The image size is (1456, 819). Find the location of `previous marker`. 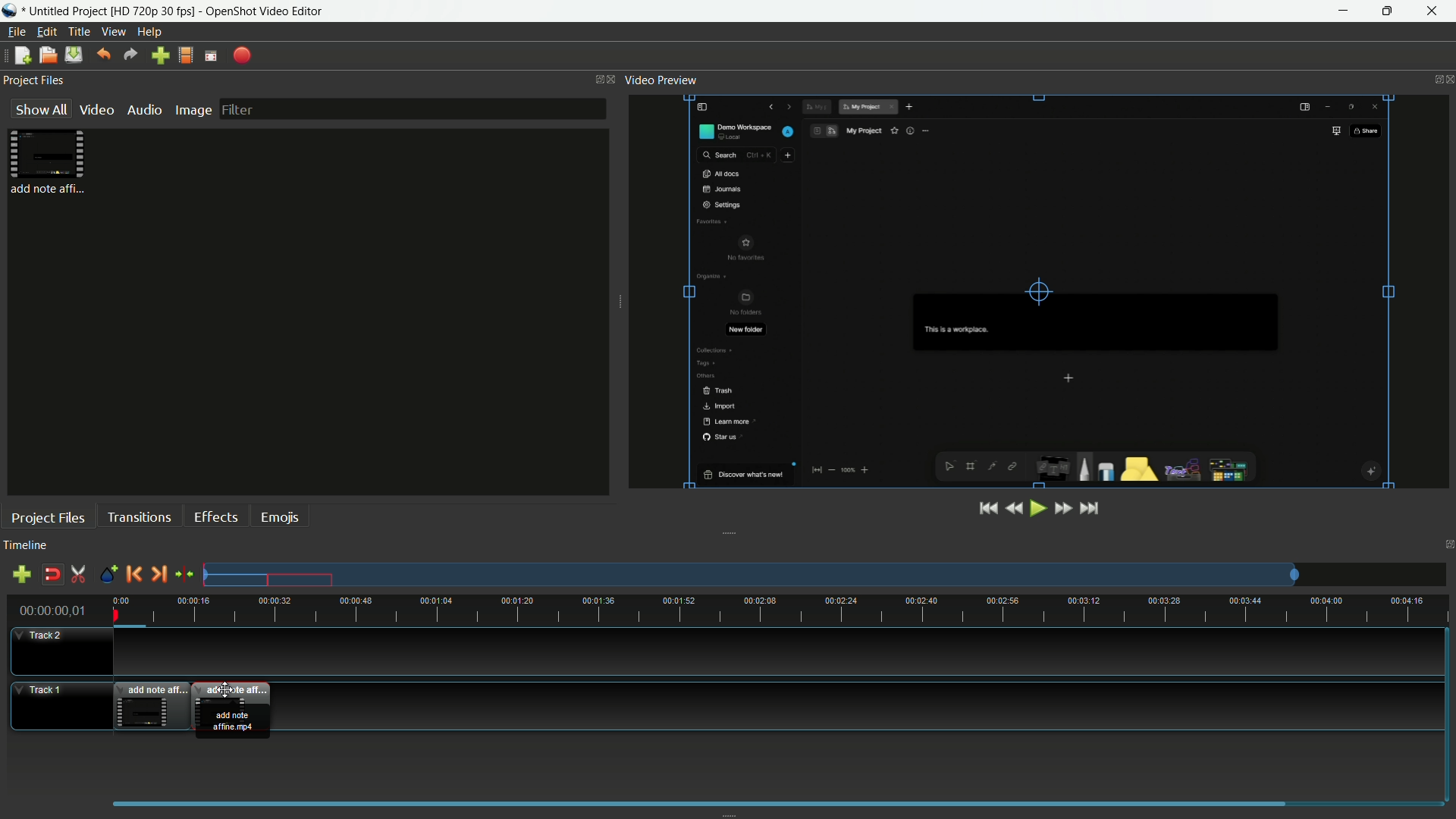

previous marker is located at coordinates (133, 573).